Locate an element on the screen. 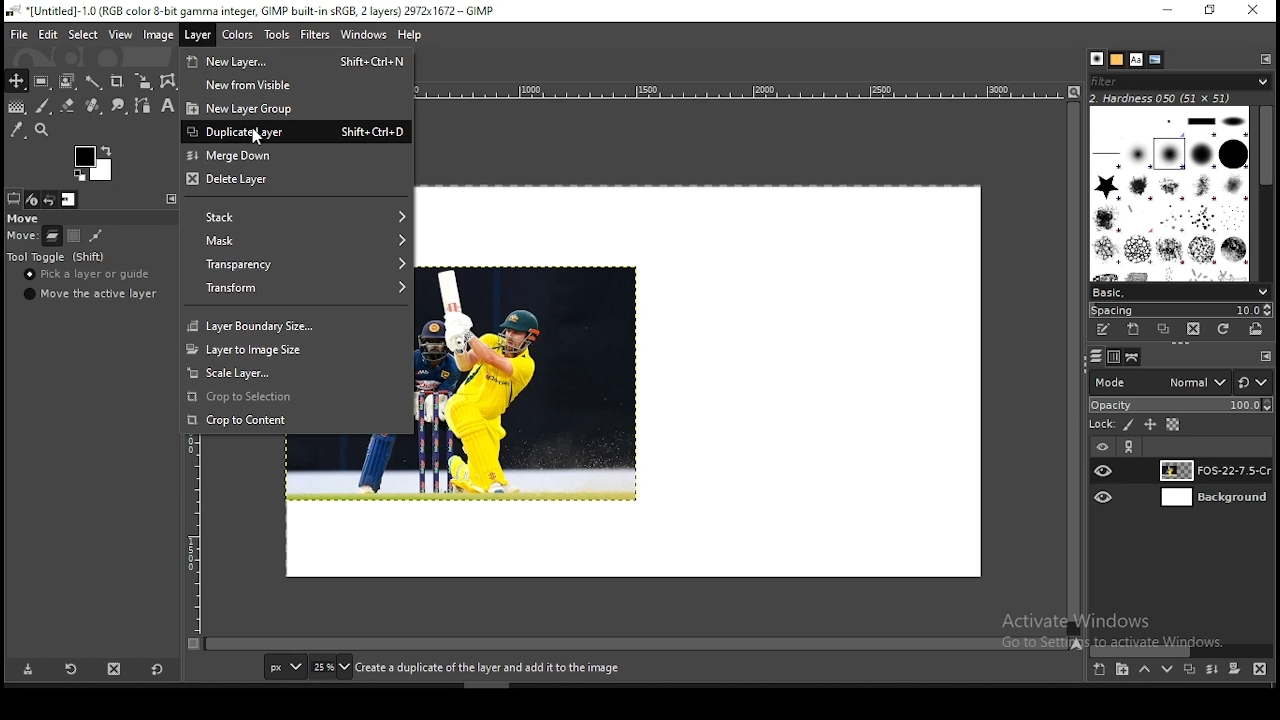 Image resolution: width=1280 pixels, height=720 pixels. select is located at coordinates (84, 36).